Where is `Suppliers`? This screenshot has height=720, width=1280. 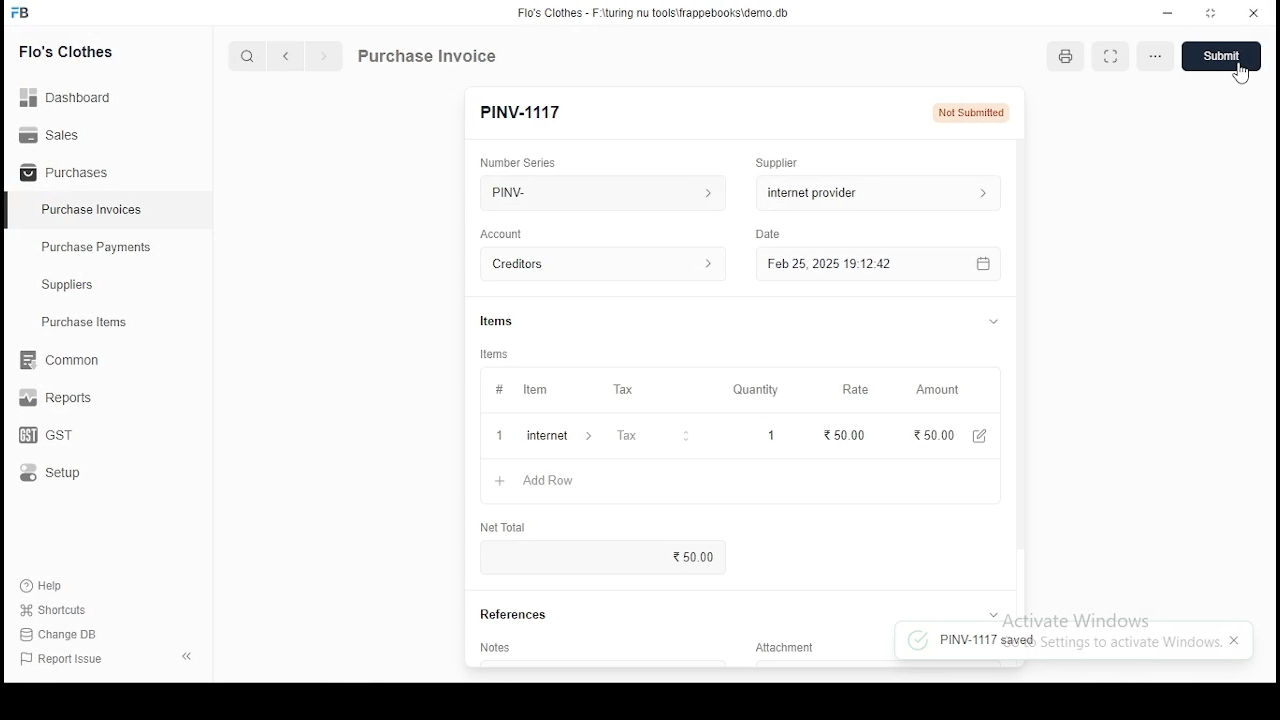
Suppliers is located at coordinates (72, 285).